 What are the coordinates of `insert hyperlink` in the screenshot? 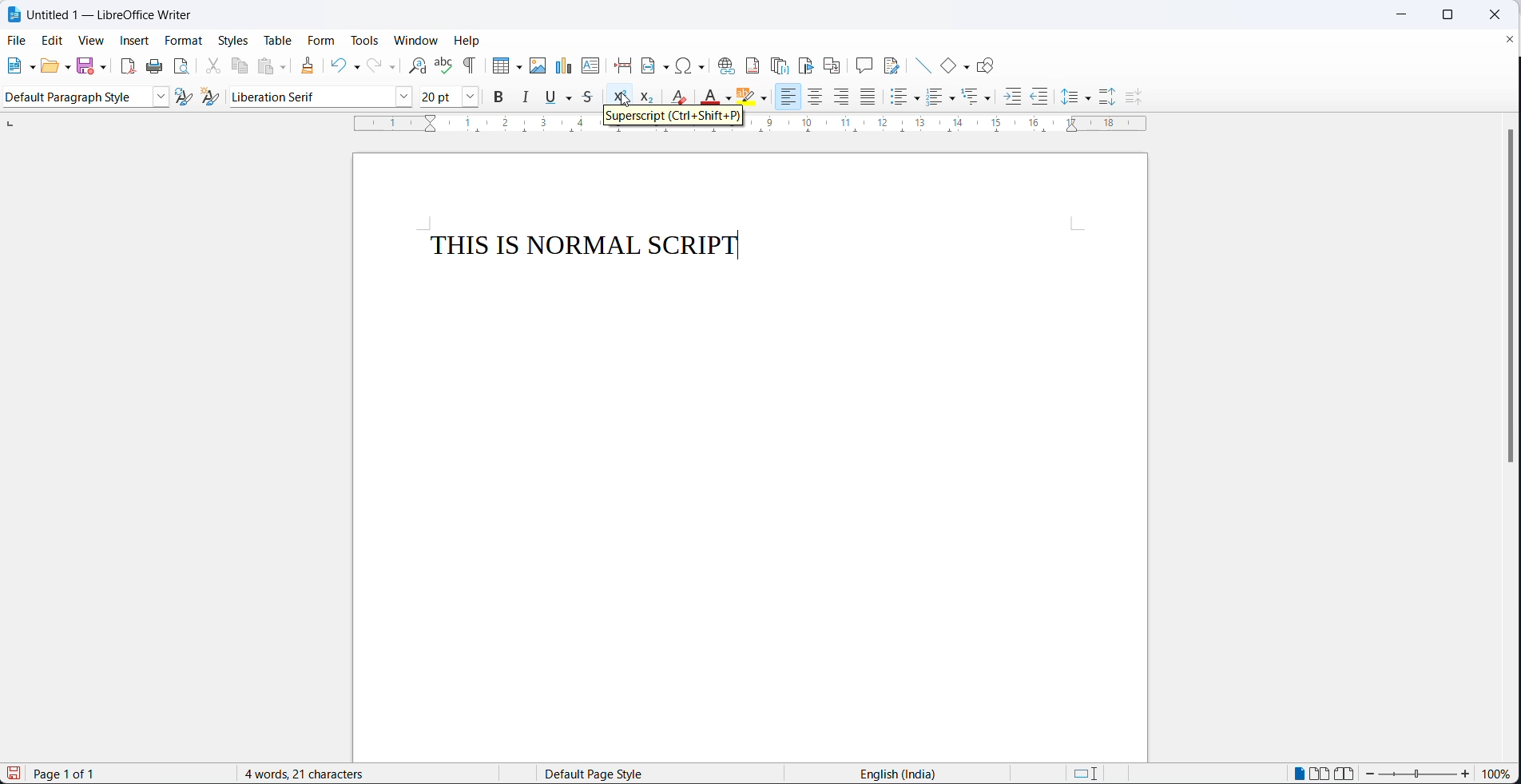 It's located at (725, 64).